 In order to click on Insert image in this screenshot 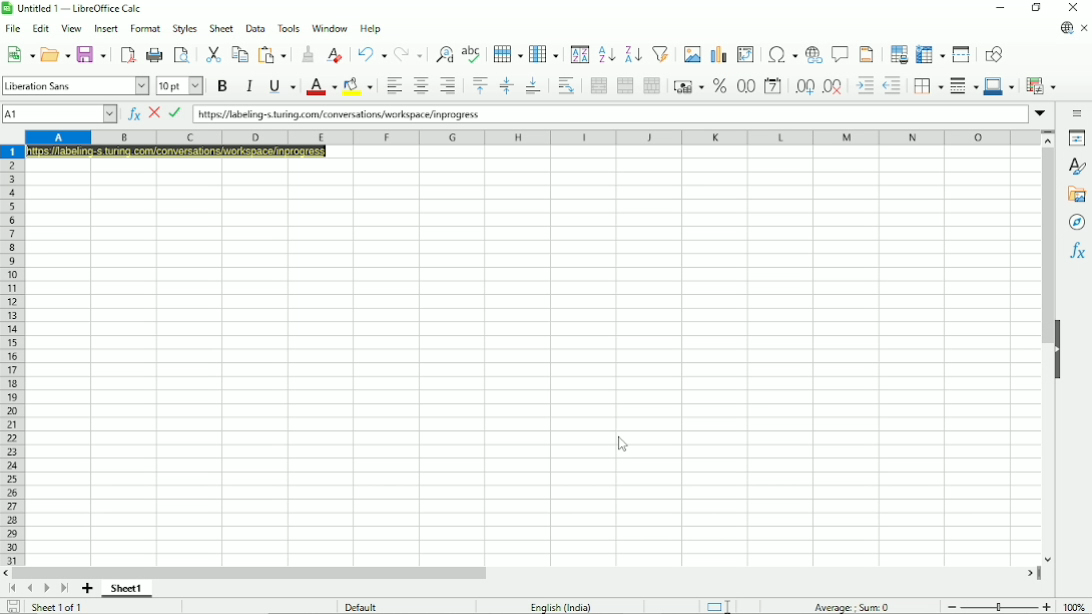, I will do `click(692, 54)`.